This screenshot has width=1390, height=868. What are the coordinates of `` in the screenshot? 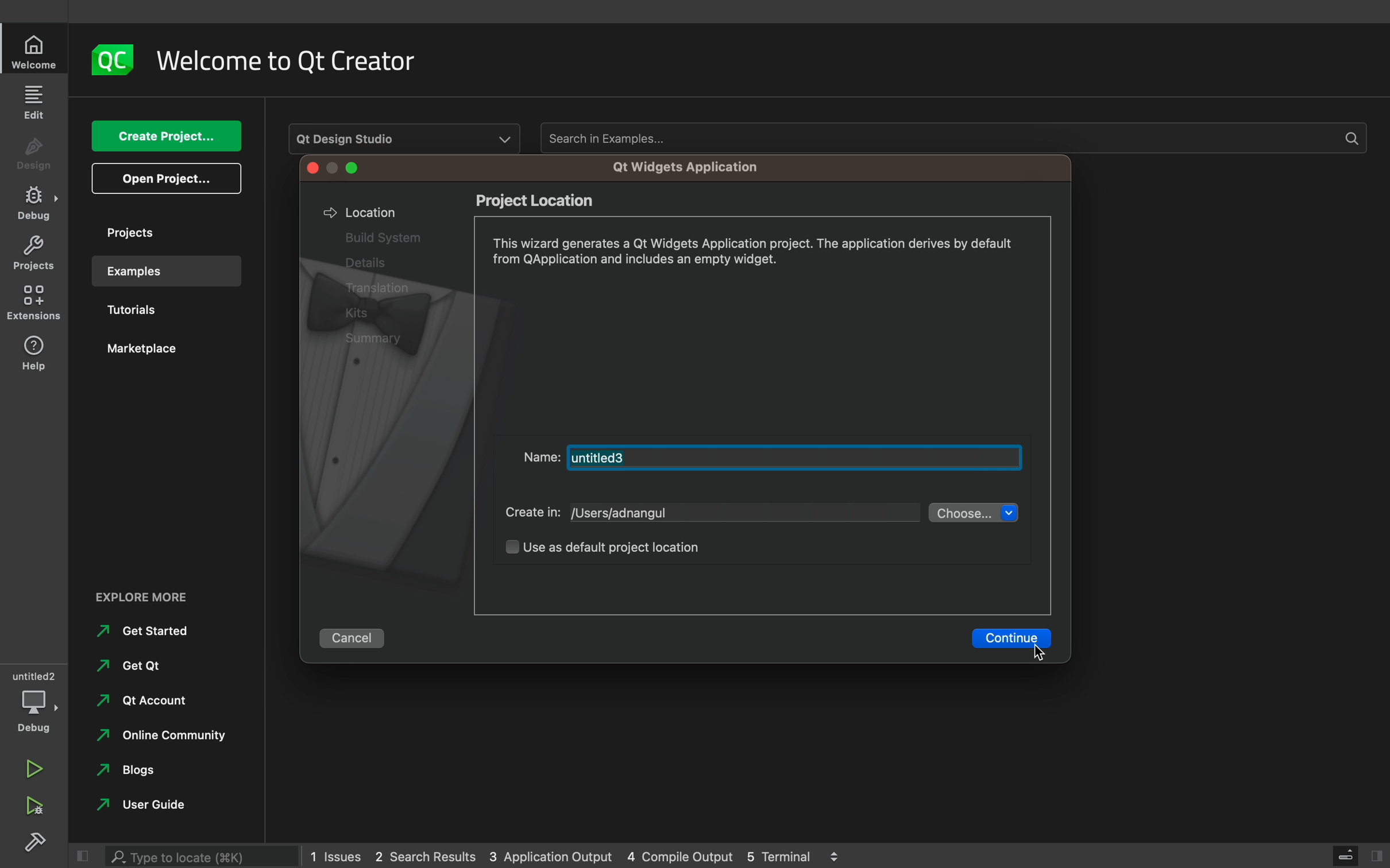 It's located at (357, 214).